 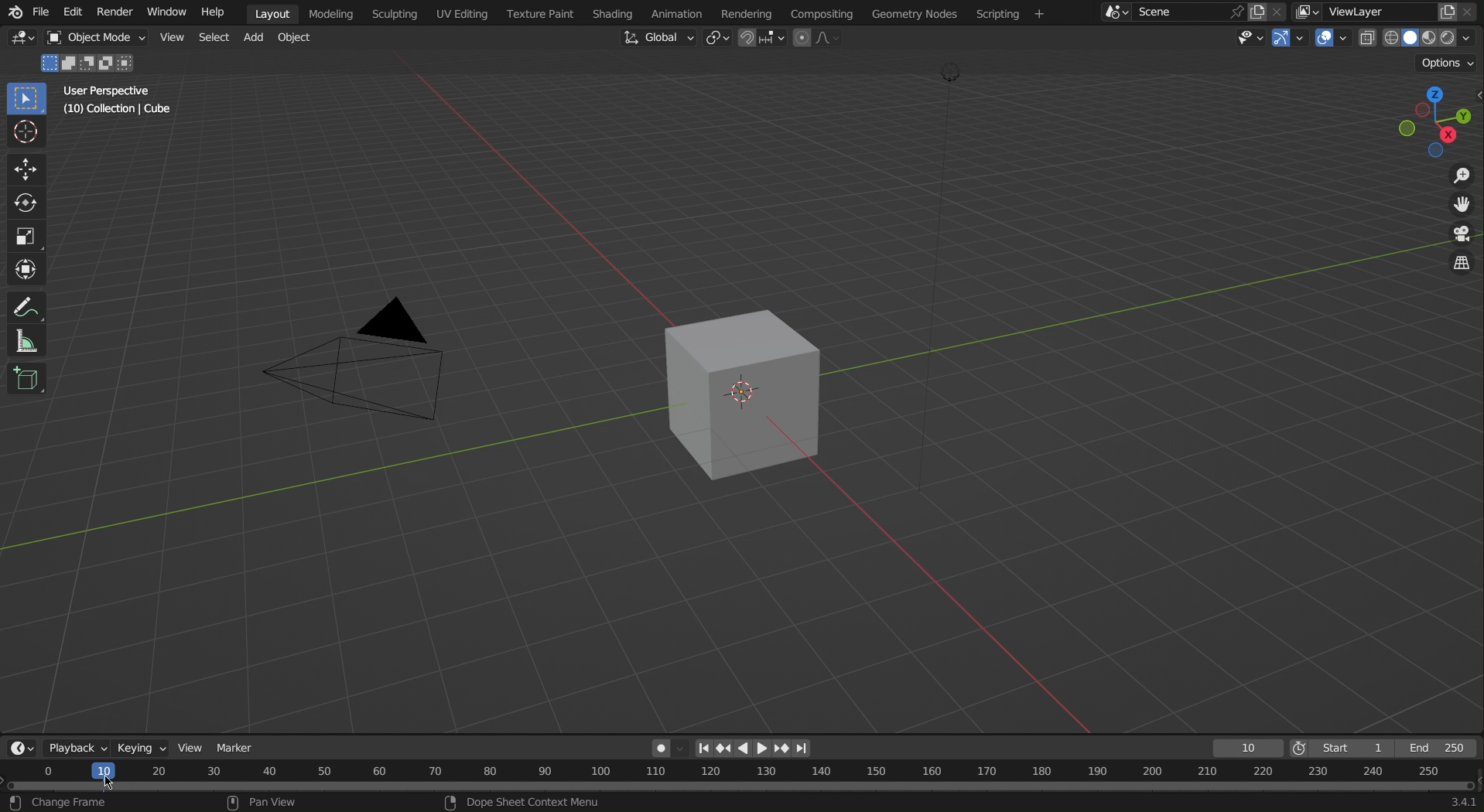 I want to click on Cube, so click(x=757, y=390).